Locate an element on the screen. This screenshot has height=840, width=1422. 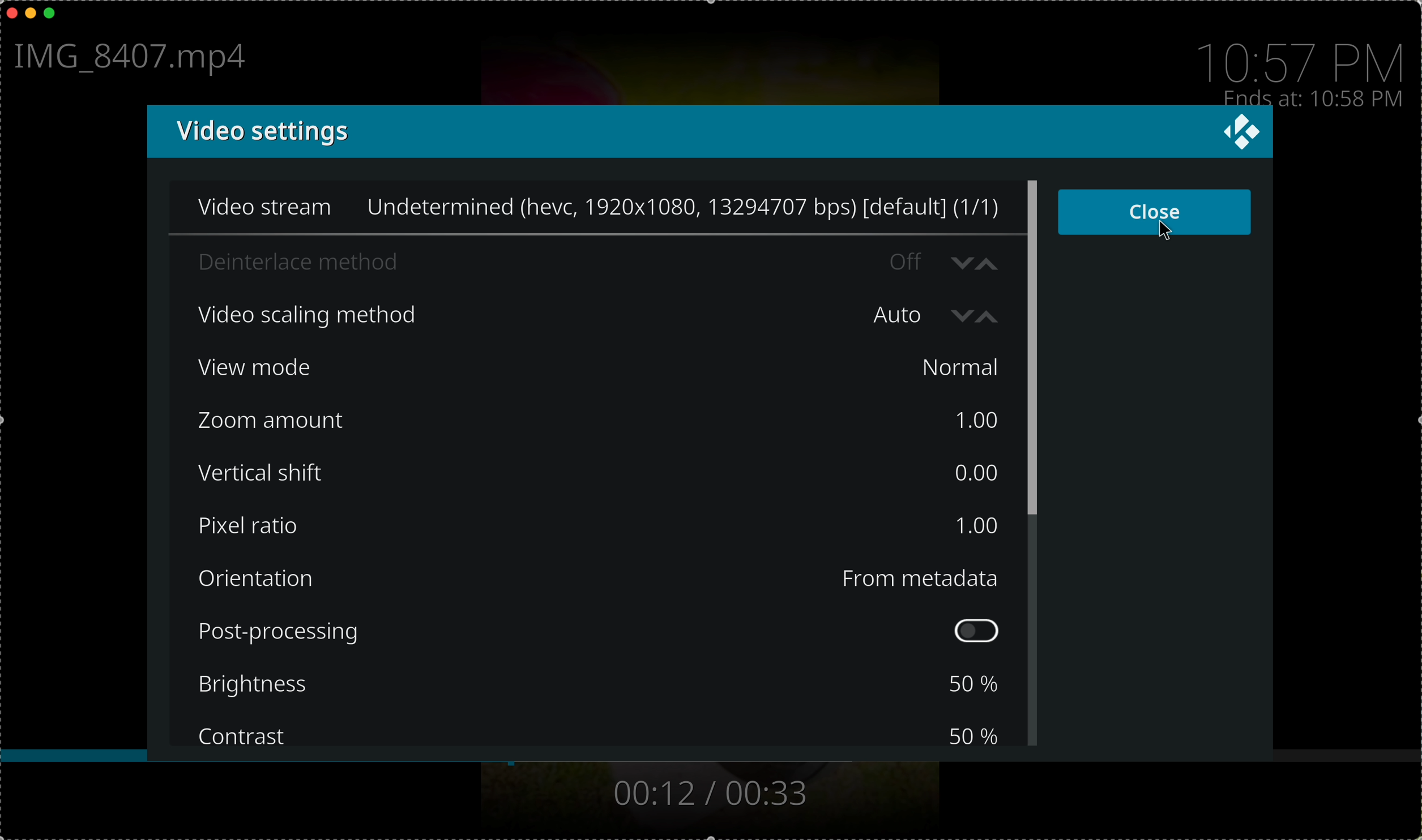
minimize is located at coordinates (31, 16).